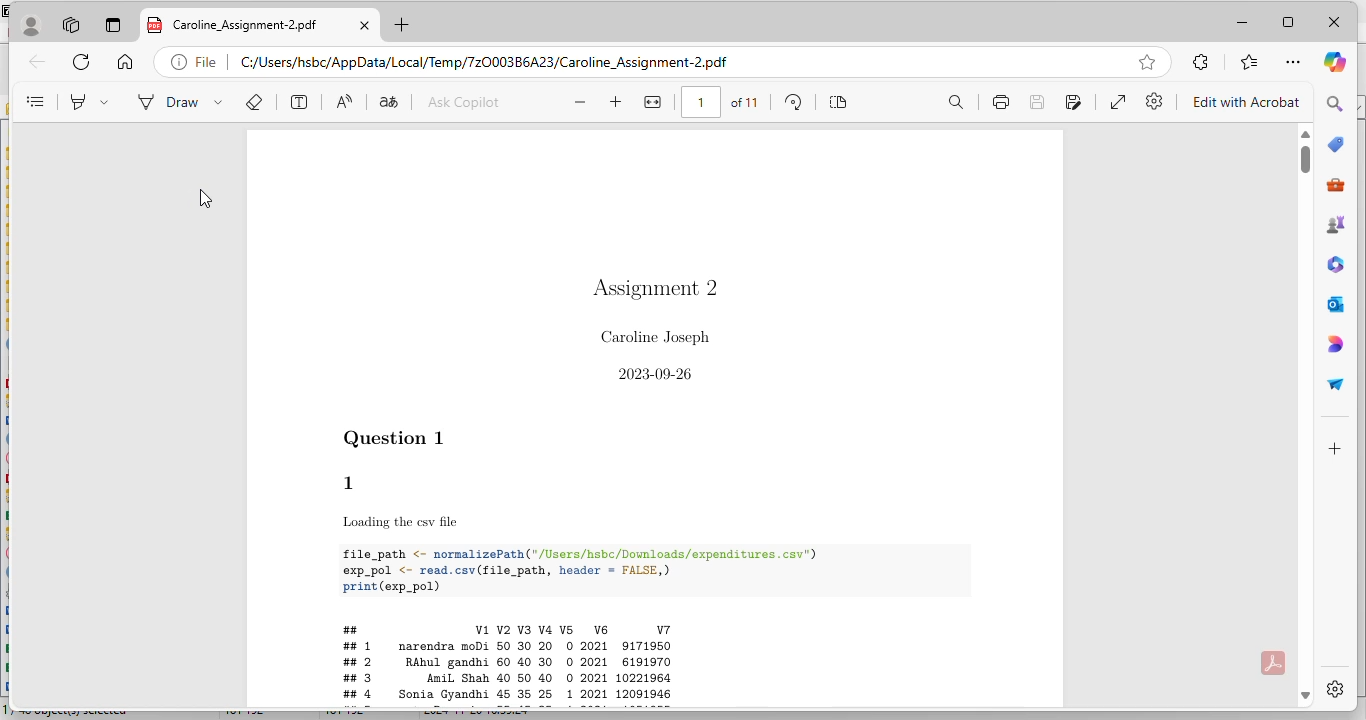 Image resolution: width=1366 pixels, height=720 pixels. I want to click on view site informatin, so click(196, 62).